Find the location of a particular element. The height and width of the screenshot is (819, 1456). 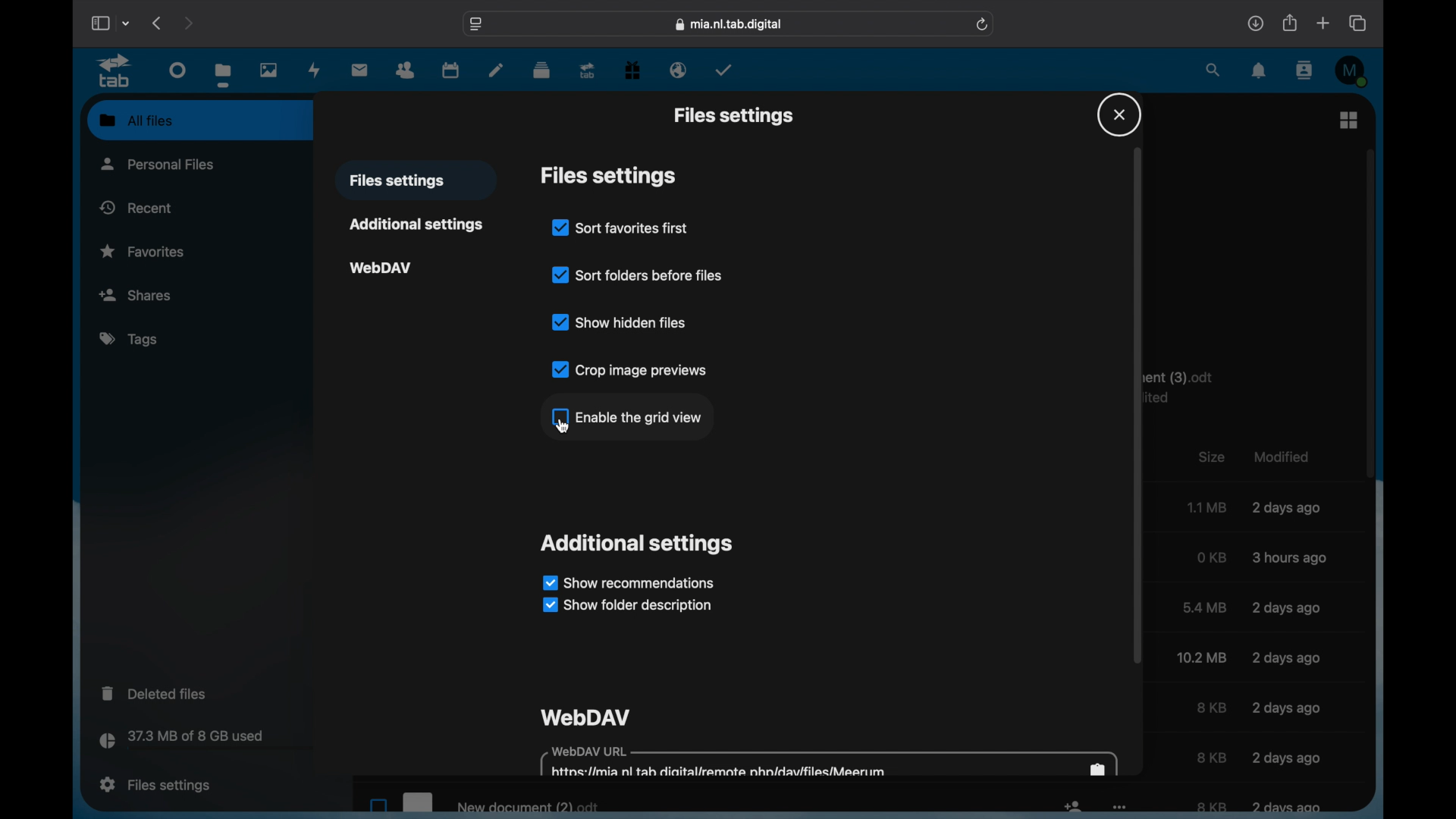

notes is located at coordinates (496, 69).